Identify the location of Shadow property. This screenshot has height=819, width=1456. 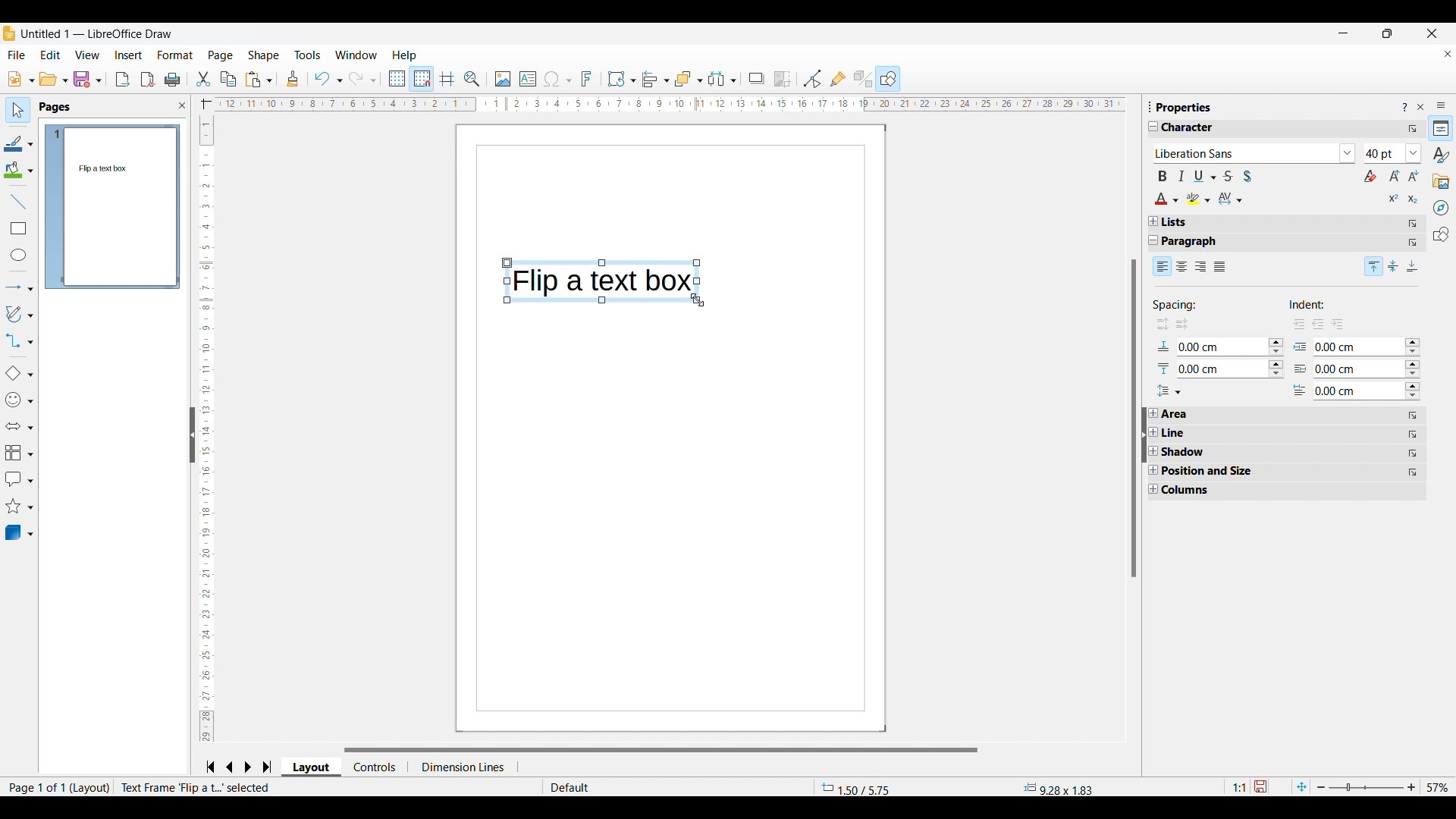
(1207, 452).